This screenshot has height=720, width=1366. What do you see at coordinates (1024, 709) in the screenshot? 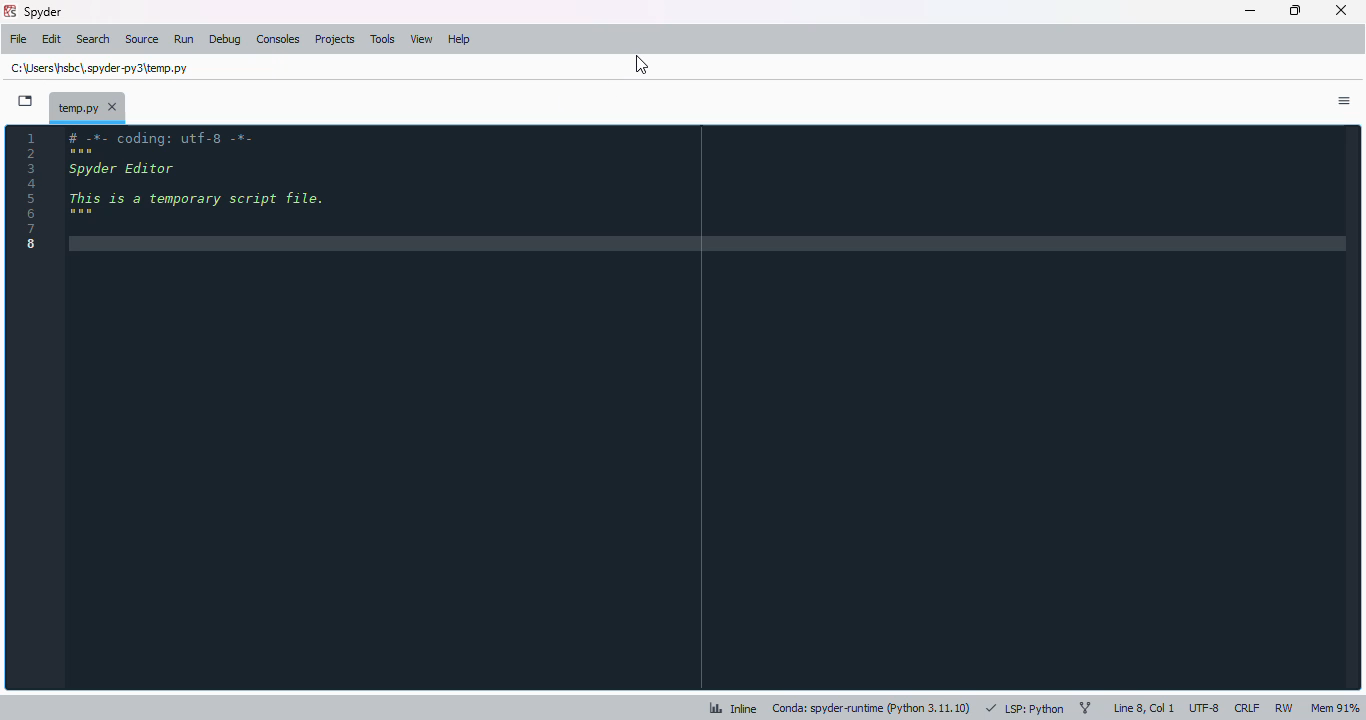
I see `LSP: python` at bounding box center [1024, 709].